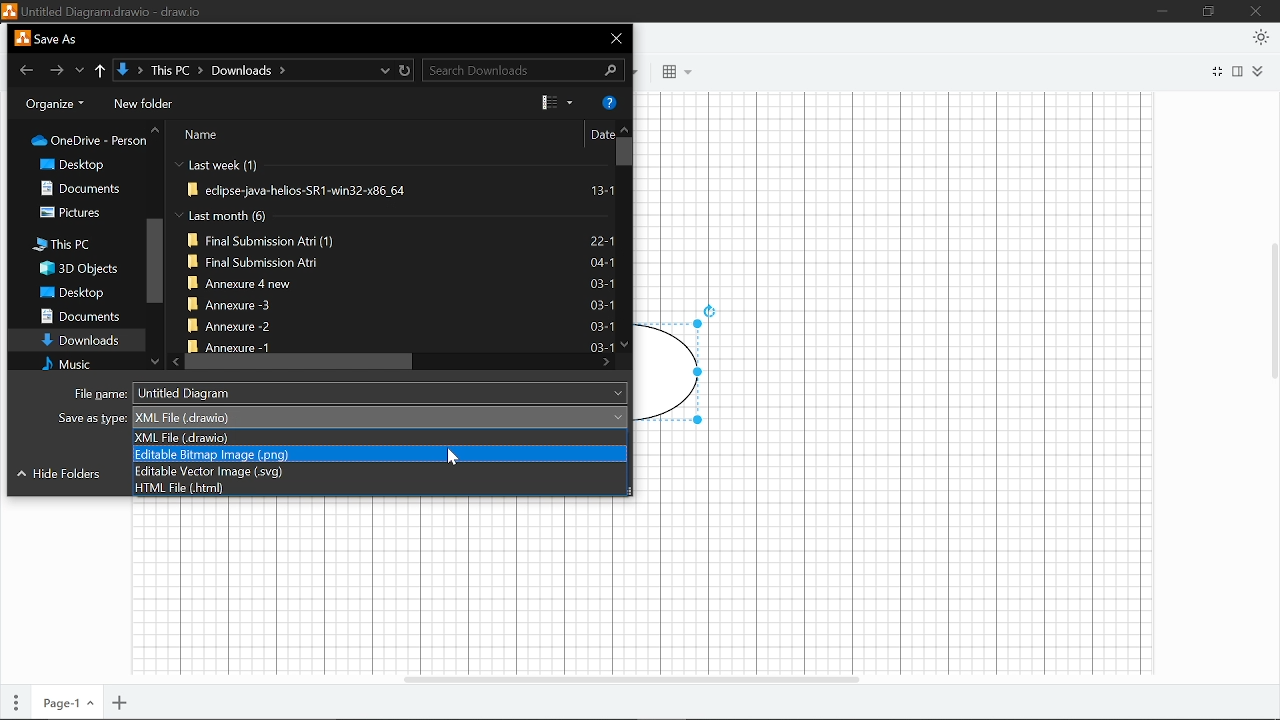 The width and height of the screenshot is (1280, 720). What do you see at coordinates (85, 165) in the screenshot?
I see `Desktop` at bounding box center [85, 165].